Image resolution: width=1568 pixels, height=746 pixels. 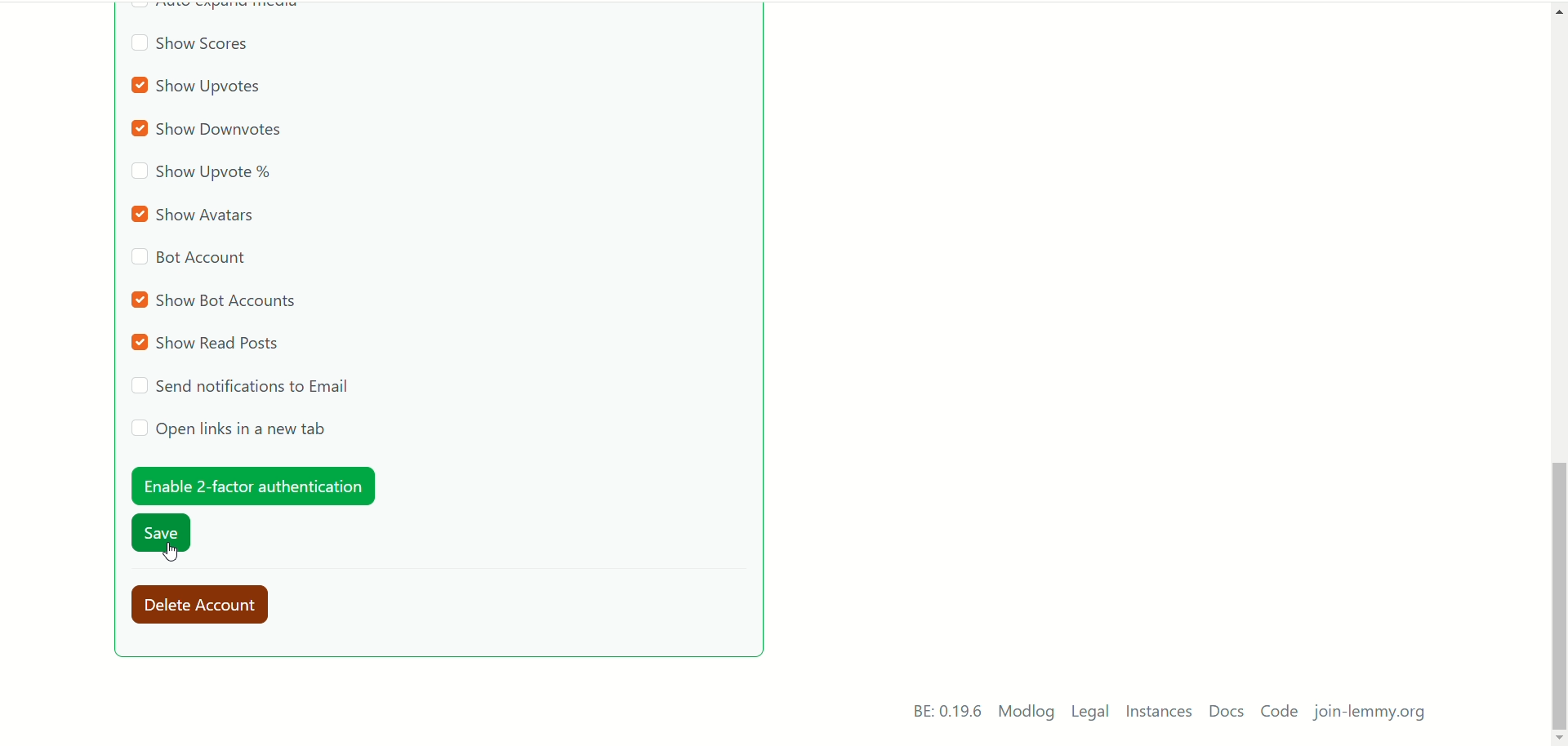 What do you see at coordinates (1280, 713) in the screenshot?
I see `code` at bounding box center [1280, 713].